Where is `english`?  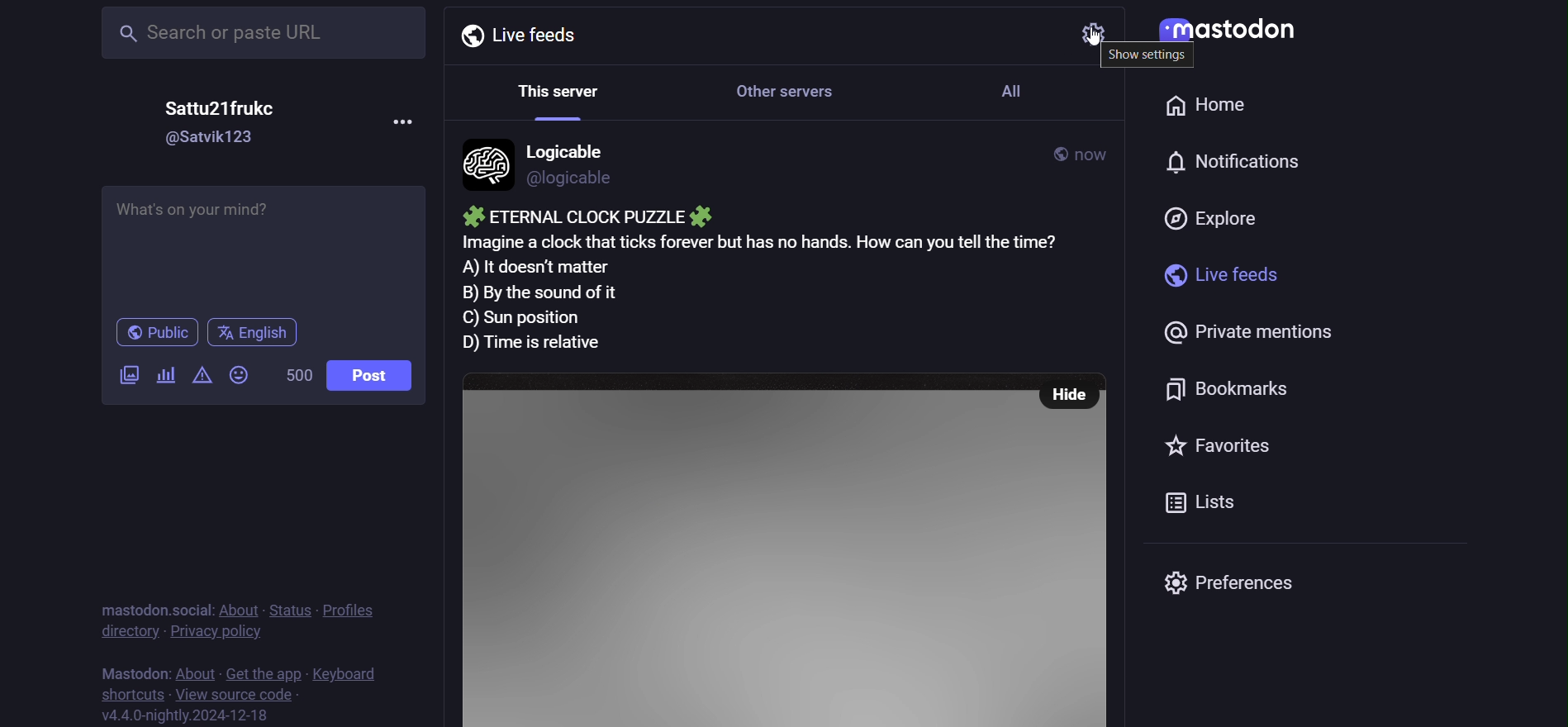
english is located at coordinates (257, 334).